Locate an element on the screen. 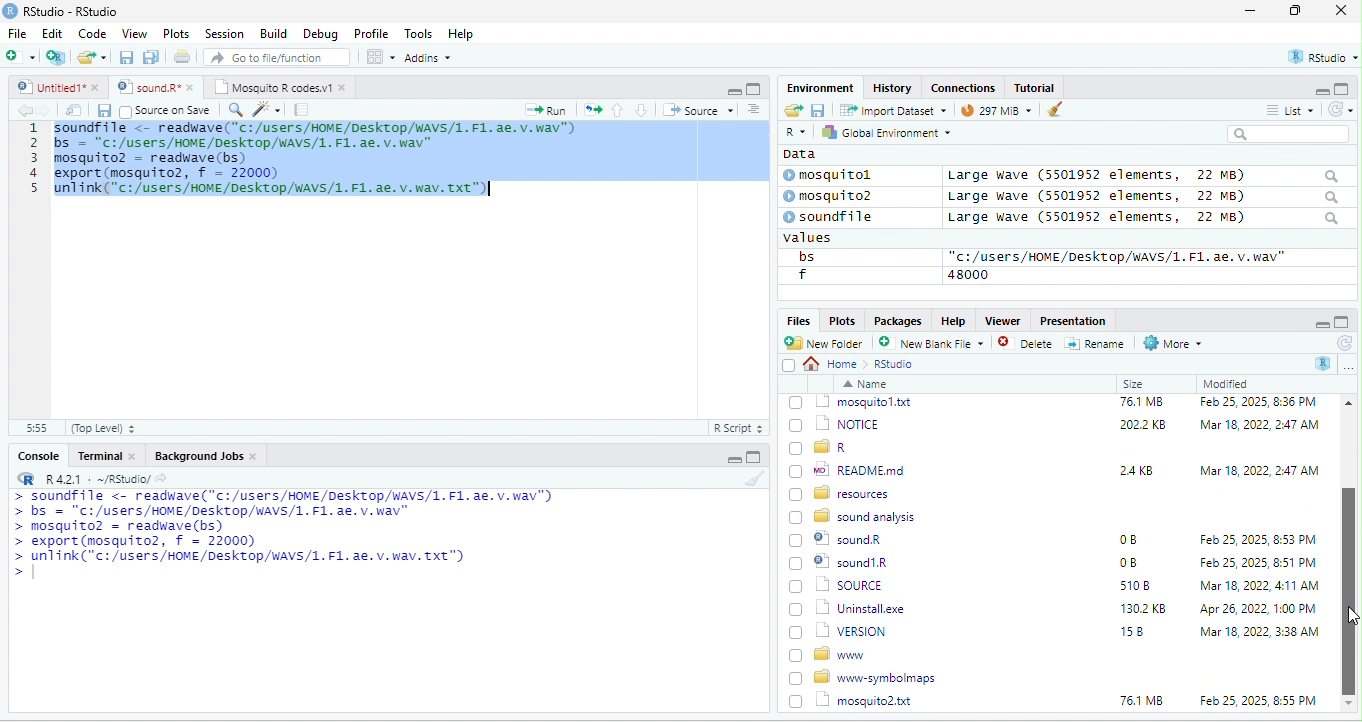  Size is located at coordinates (1134, 385).